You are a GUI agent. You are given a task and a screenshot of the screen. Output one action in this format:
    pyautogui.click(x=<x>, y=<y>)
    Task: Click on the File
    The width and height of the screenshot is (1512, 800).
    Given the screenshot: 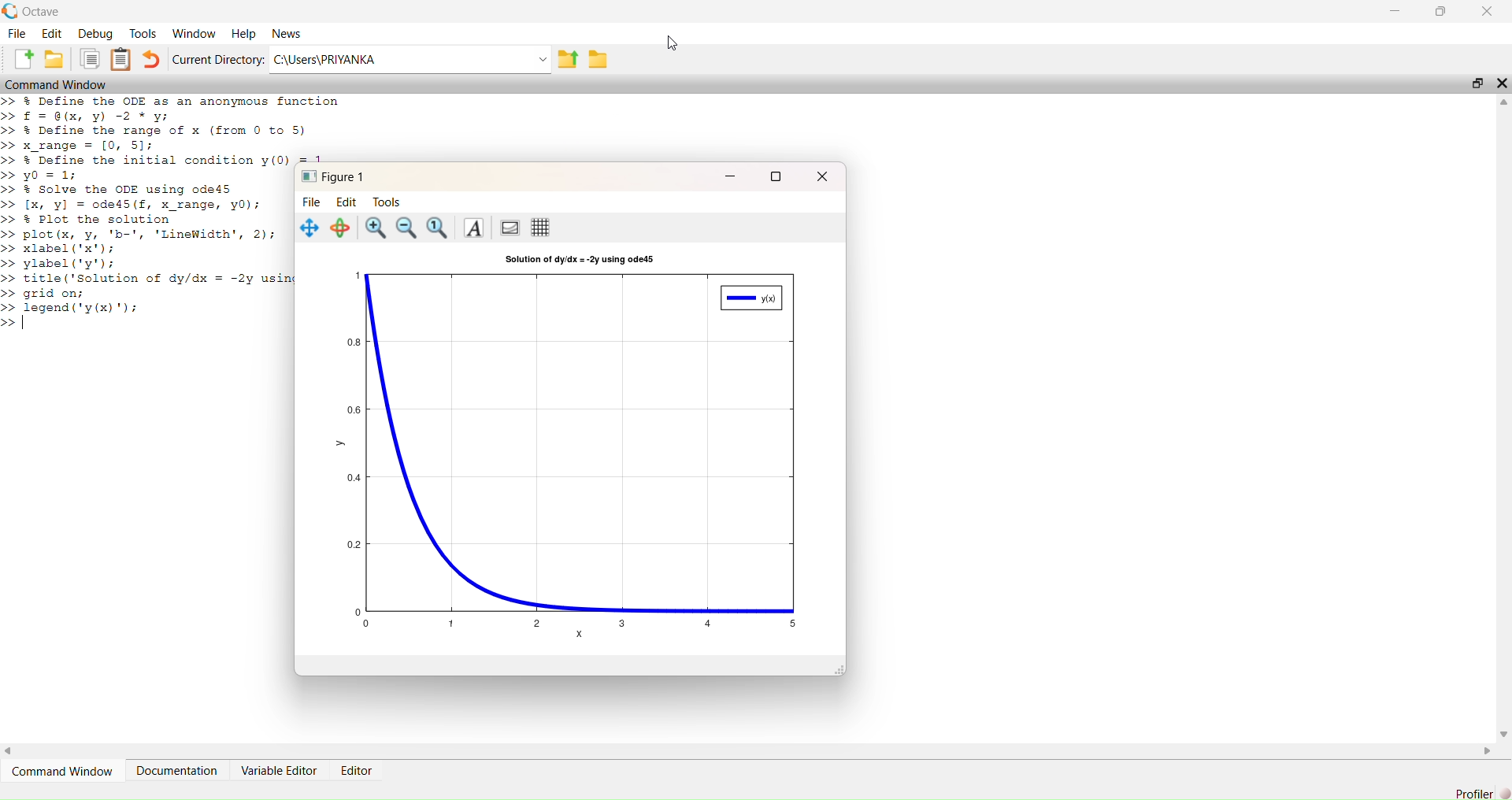 What is the action you would take?
    pyautogui.click(x=17, y=33)
    